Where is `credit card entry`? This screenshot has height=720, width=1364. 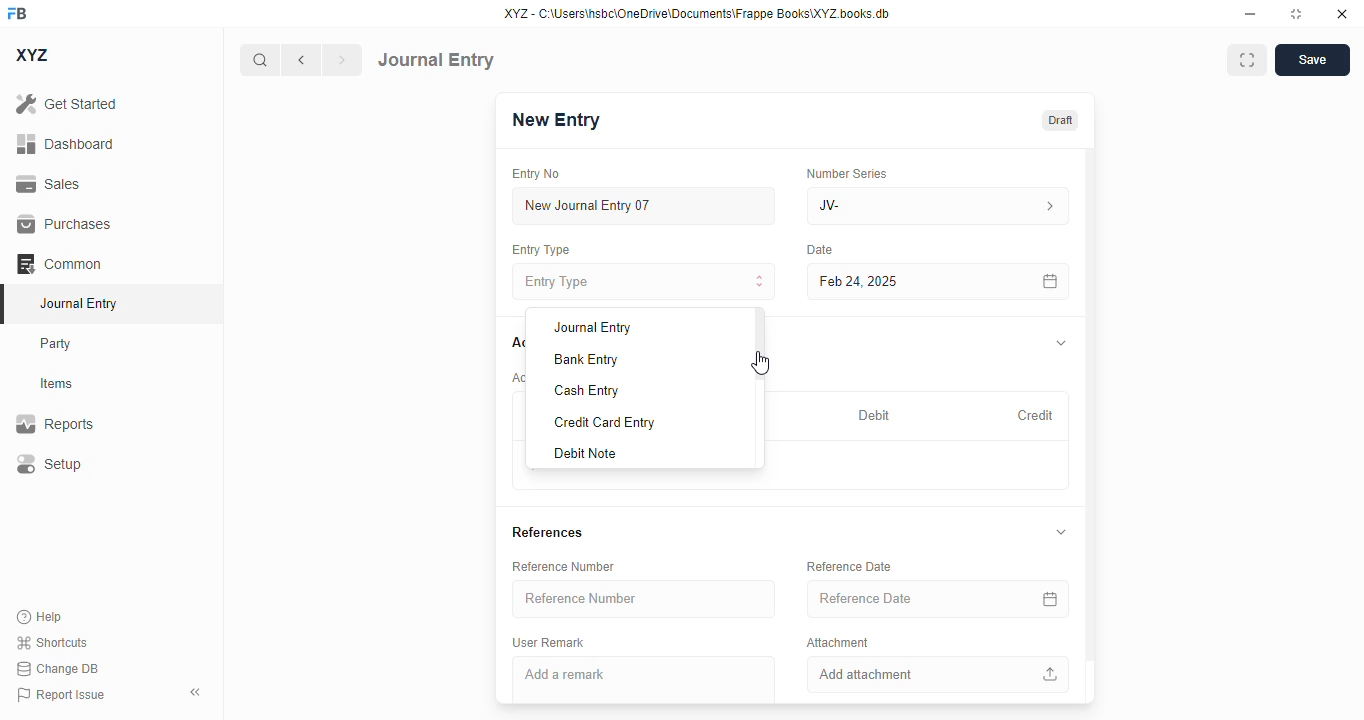
credit card entry is located at coordinates (605, 423).